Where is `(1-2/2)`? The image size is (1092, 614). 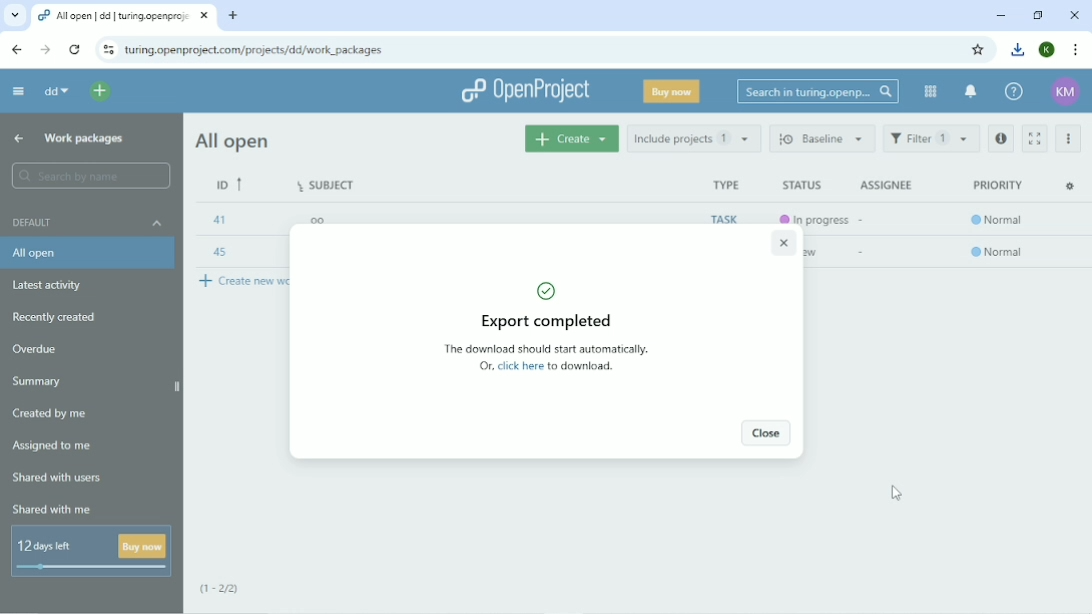
(1-2/2) is located at coordinates (227, 590).